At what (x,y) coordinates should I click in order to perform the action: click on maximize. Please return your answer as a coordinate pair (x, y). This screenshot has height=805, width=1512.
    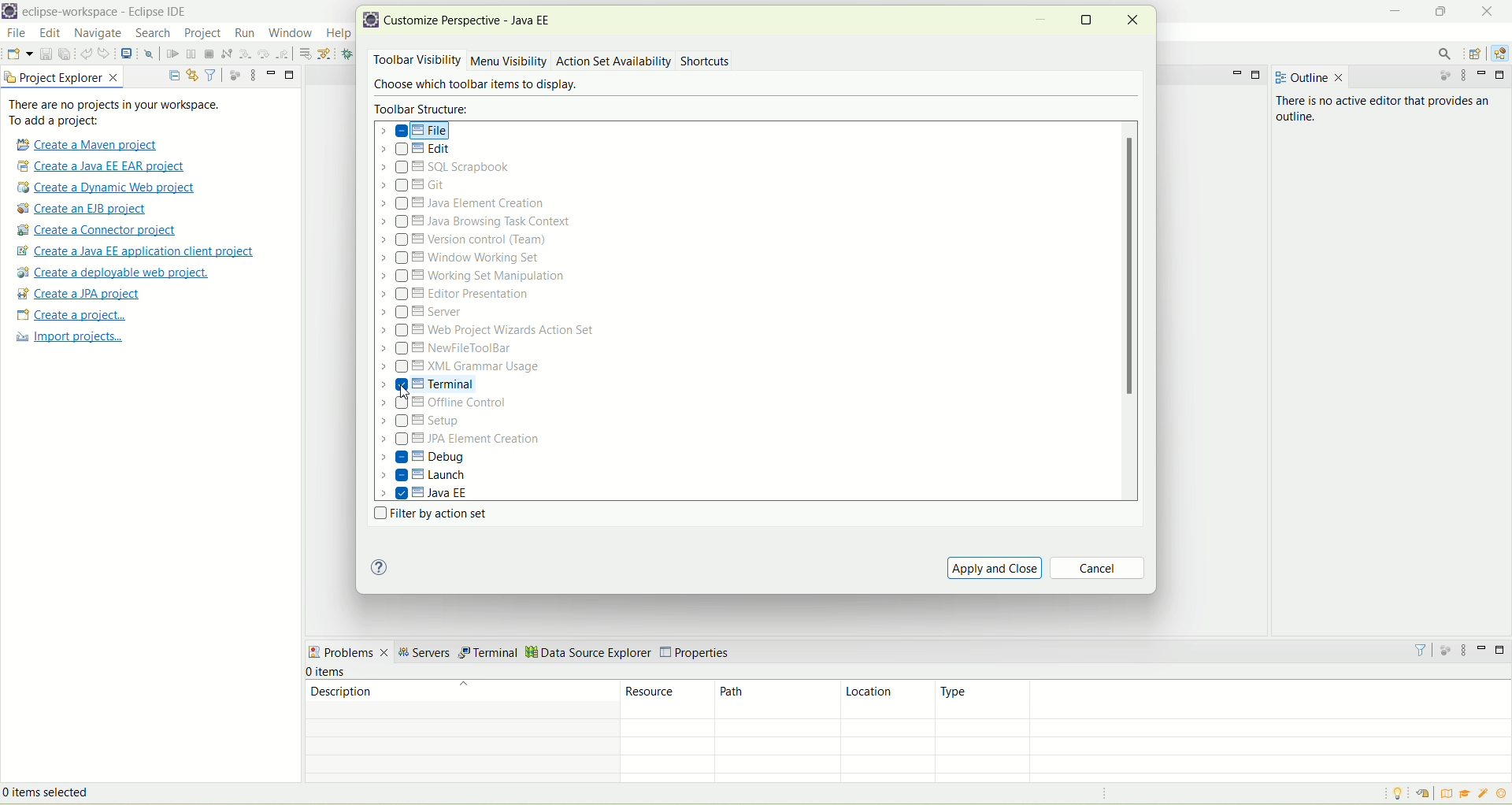
    Looking at the image, I should click on (1088, 18).